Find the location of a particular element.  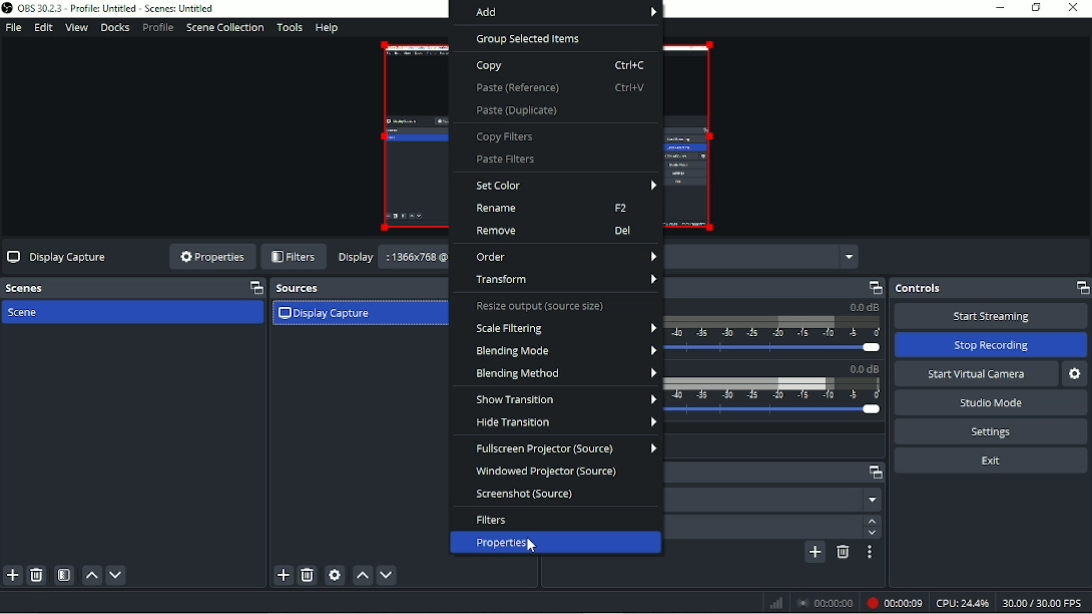

Add scene is located at coordinates (12, 576).